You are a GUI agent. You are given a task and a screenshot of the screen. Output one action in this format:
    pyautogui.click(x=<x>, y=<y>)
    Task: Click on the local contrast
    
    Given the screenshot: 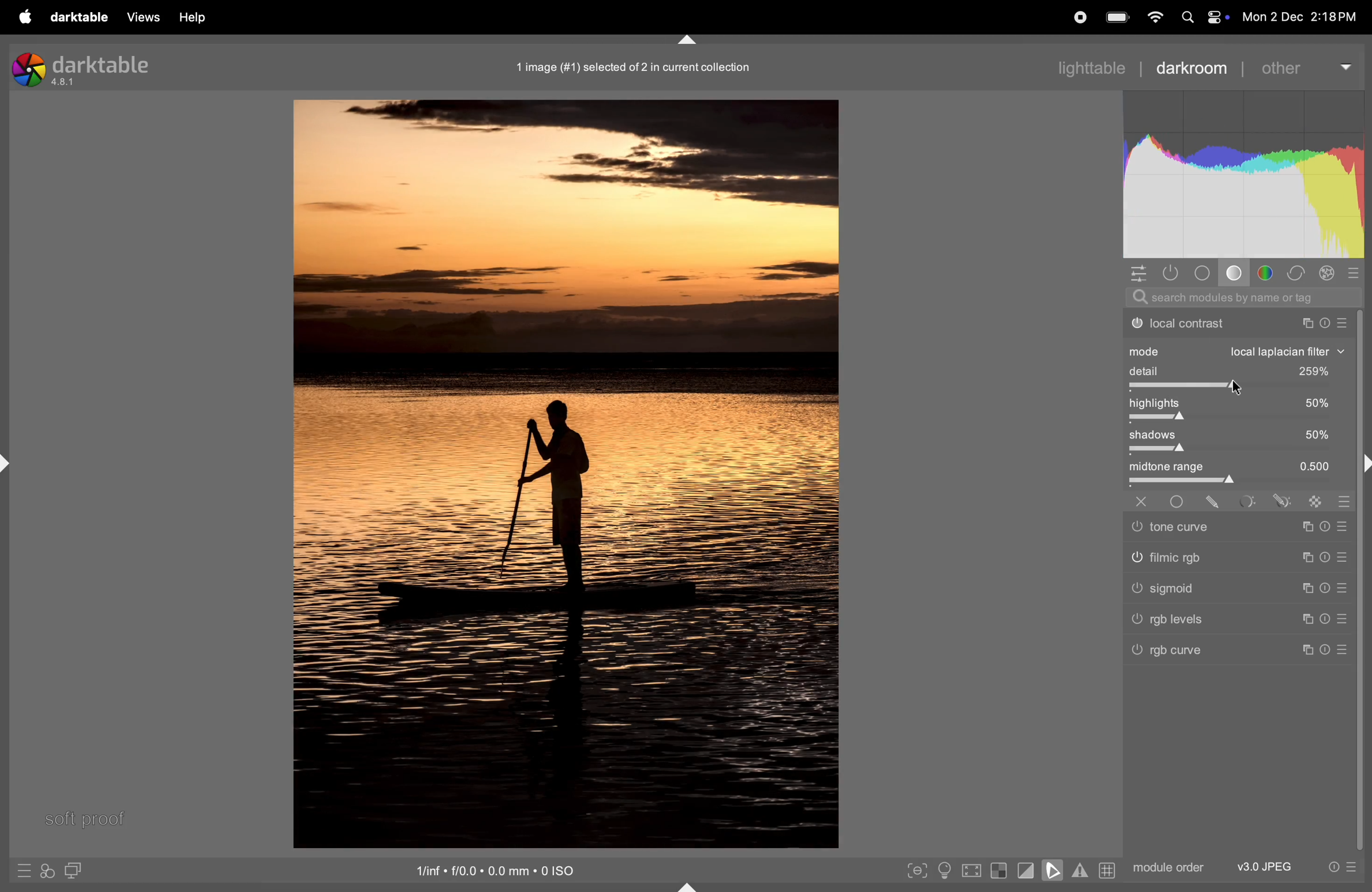 What is the action you would take?
    pyautogui.click(x=1237, y=324)
    